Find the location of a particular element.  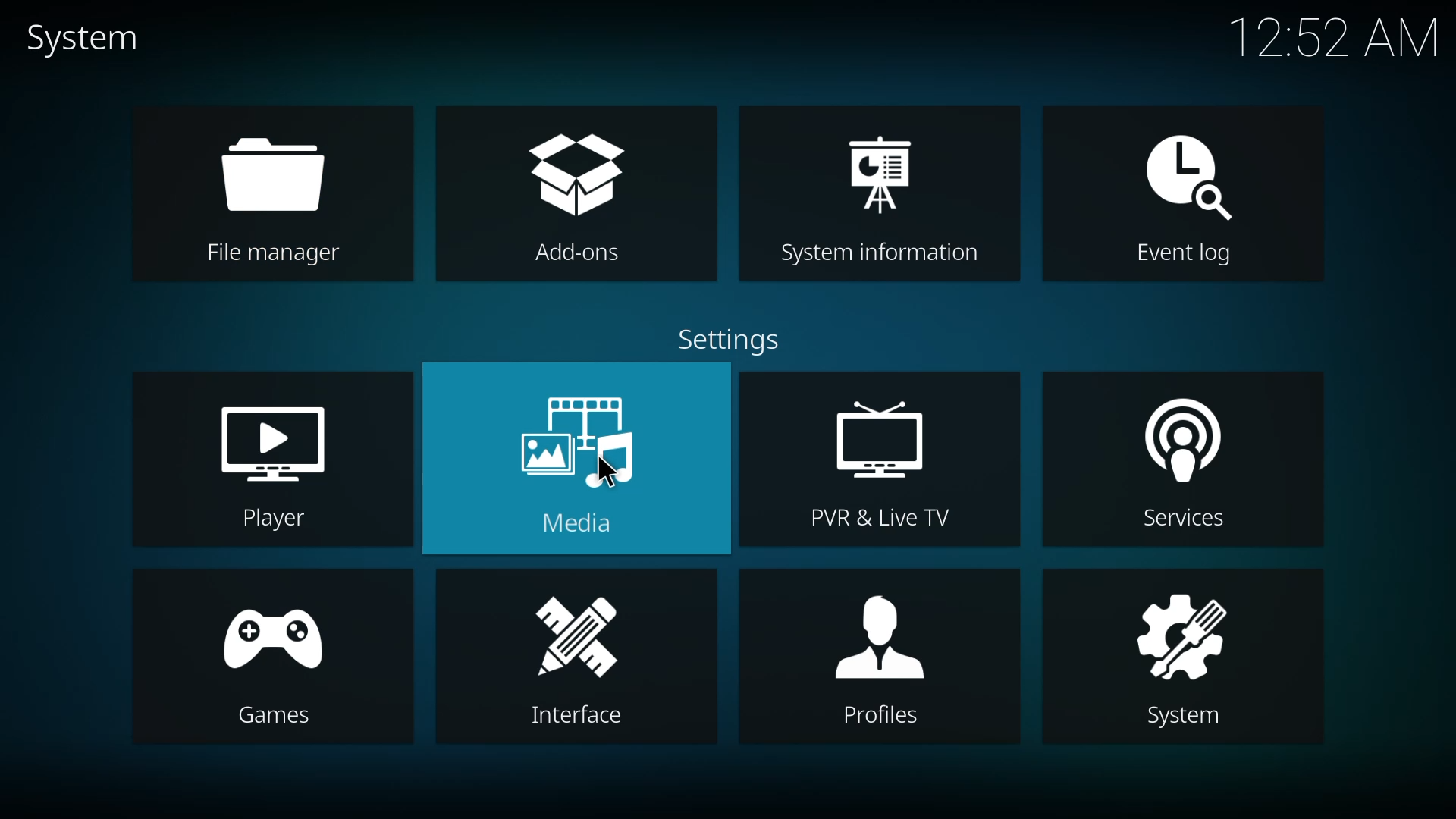

system is located at coordinates (1180, 629).